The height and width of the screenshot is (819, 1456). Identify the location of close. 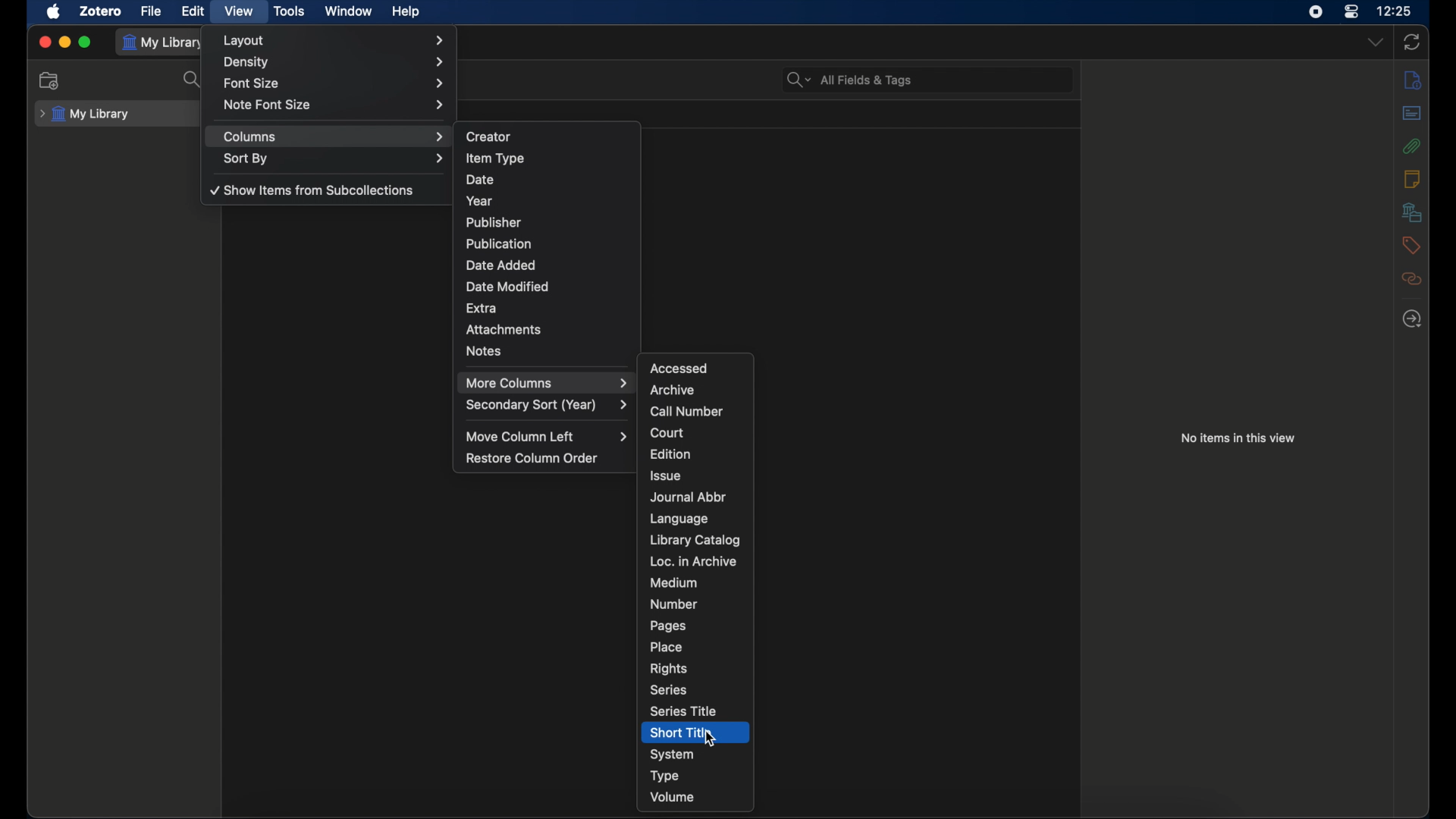
(44, 42).